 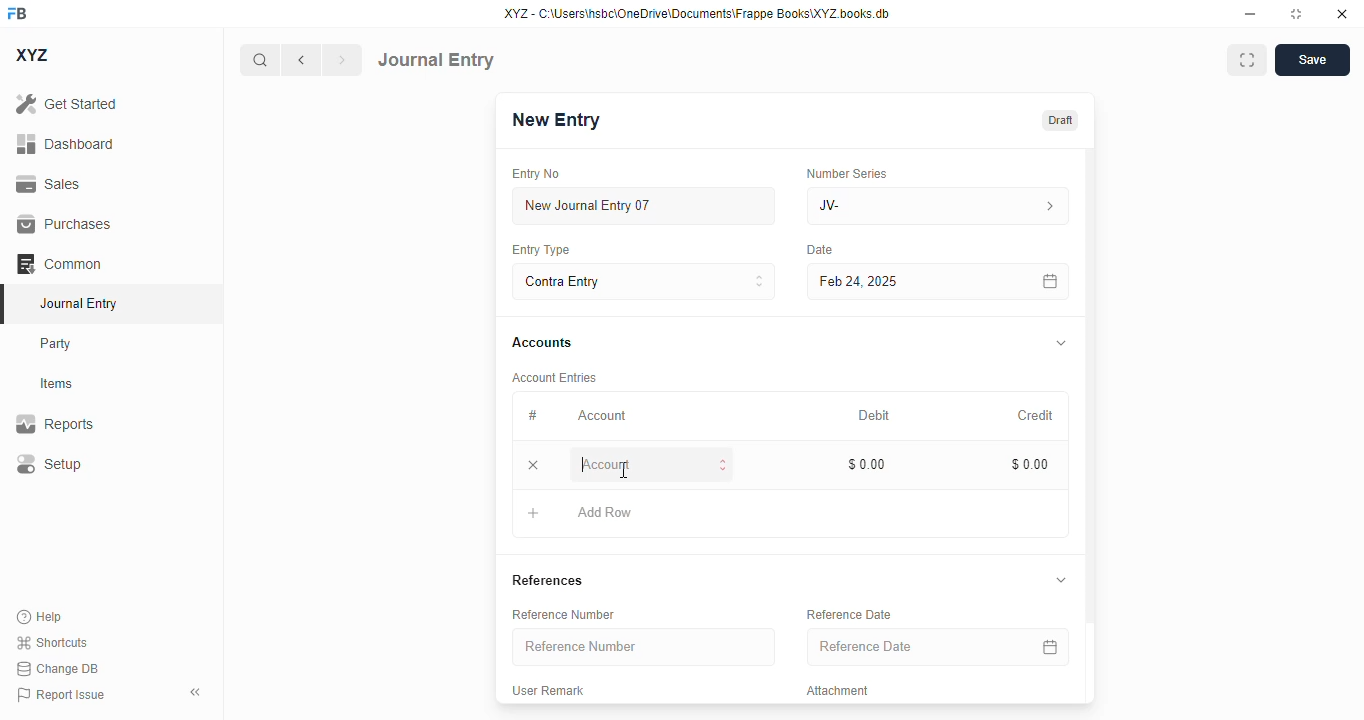 What do you see at coordinates (625, 470) in the screenshot?
I see `cursor` at bounding box center [625, 470].